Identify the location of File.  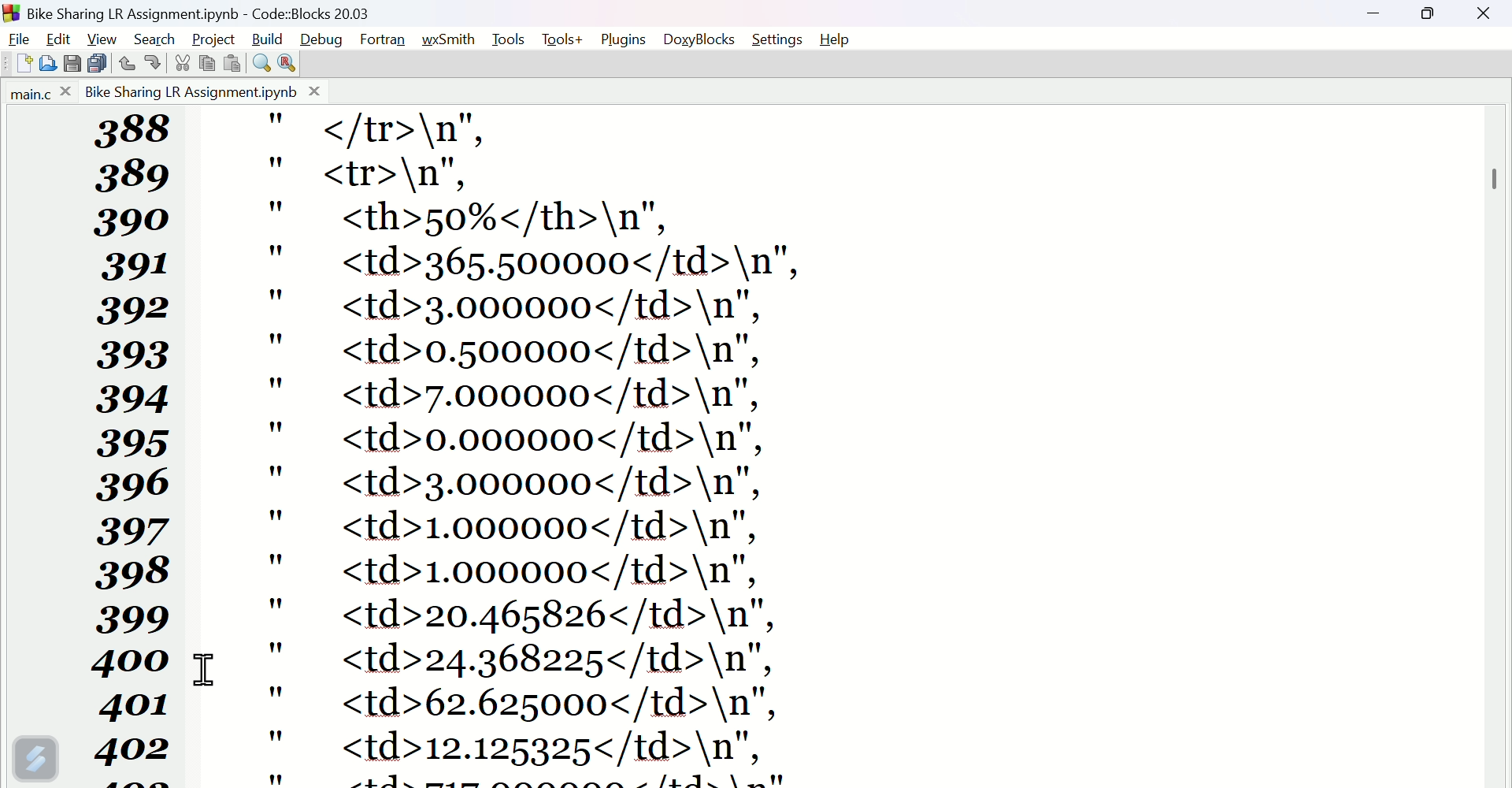
(18, 39).